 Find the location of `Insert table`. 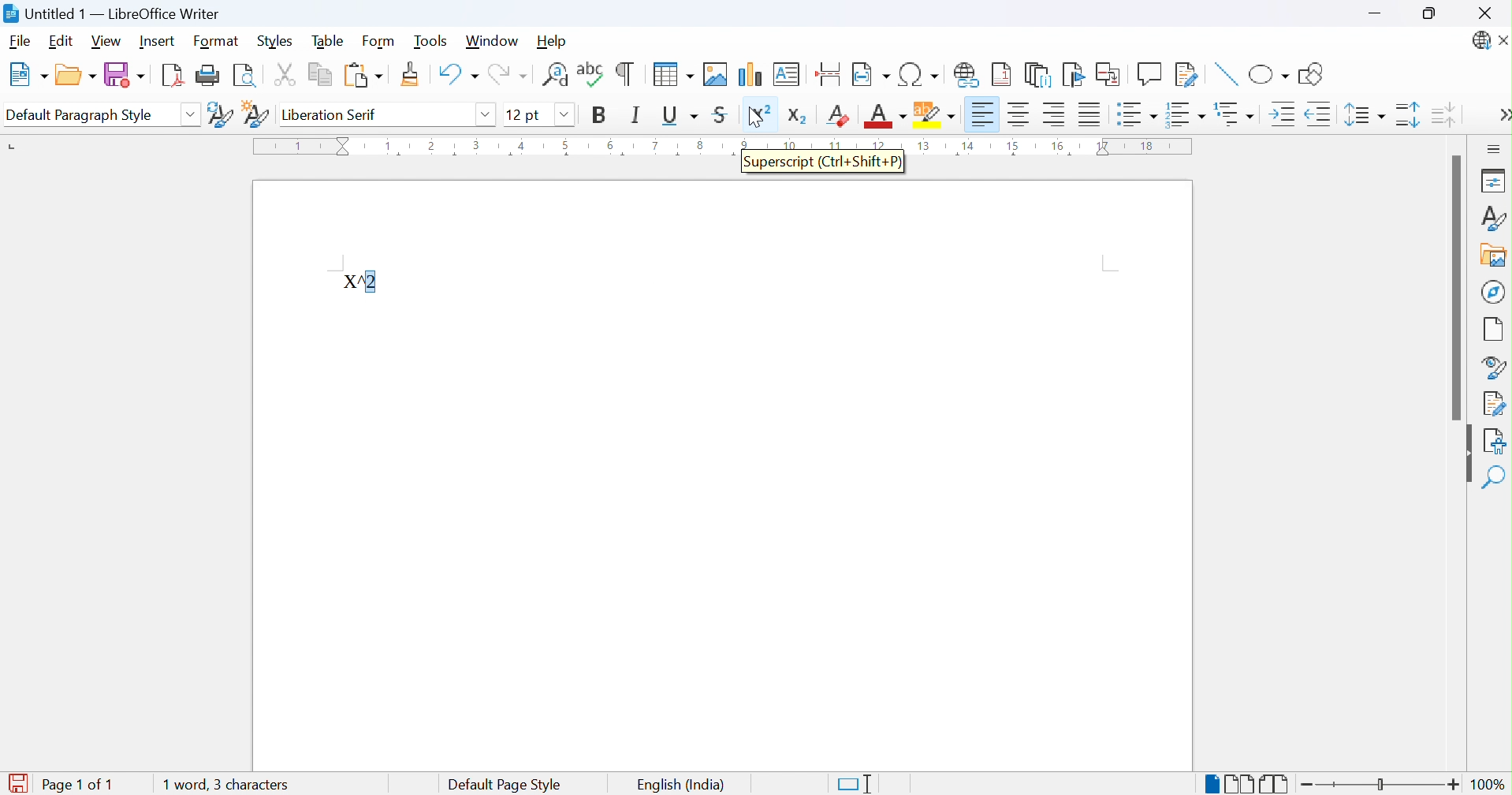

Insert table is located at coordinates (676, 73).